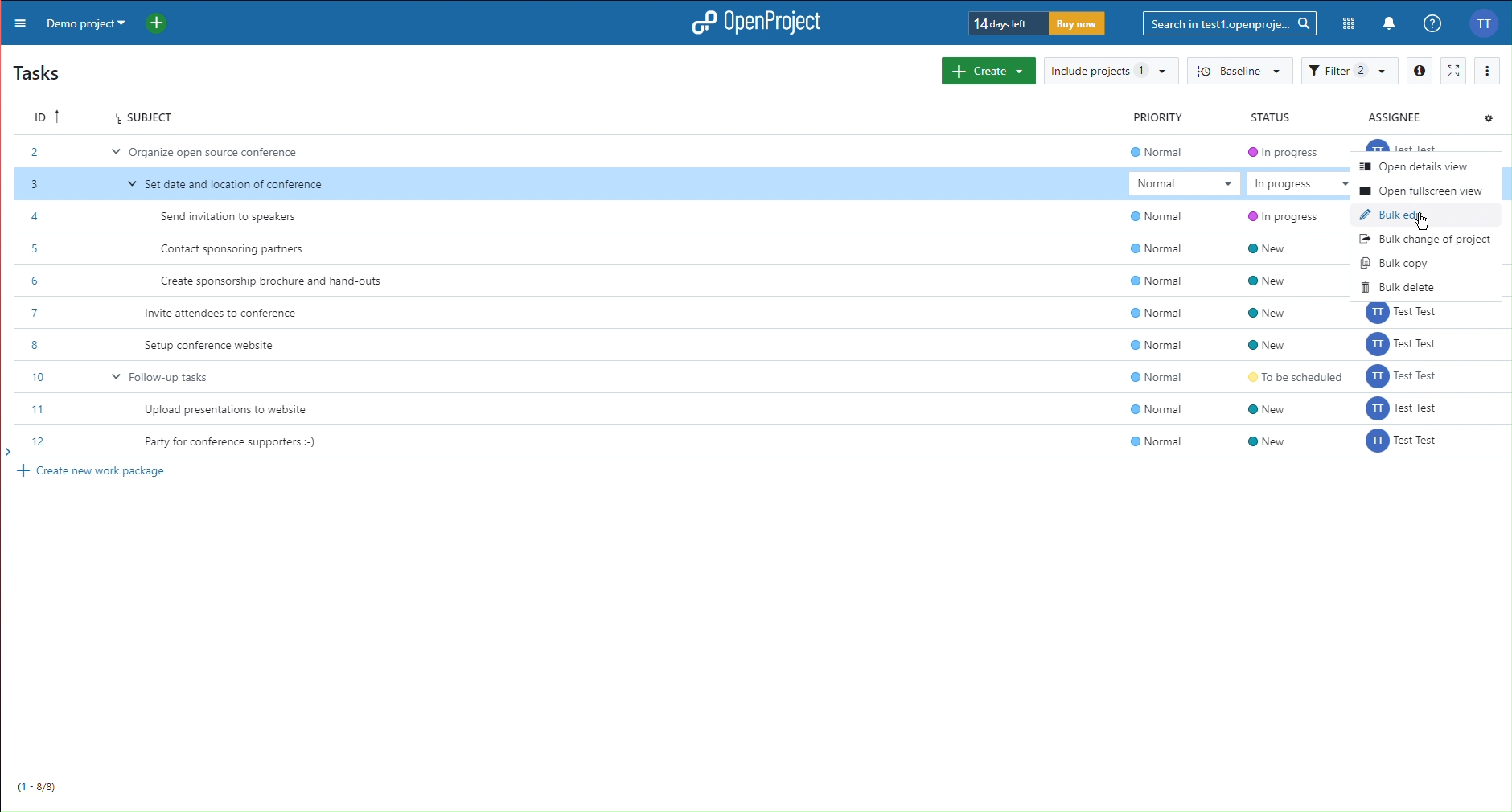  Describe the element at coordinates (1238, 72) in the screenshot. I see `Baseline` at that location.